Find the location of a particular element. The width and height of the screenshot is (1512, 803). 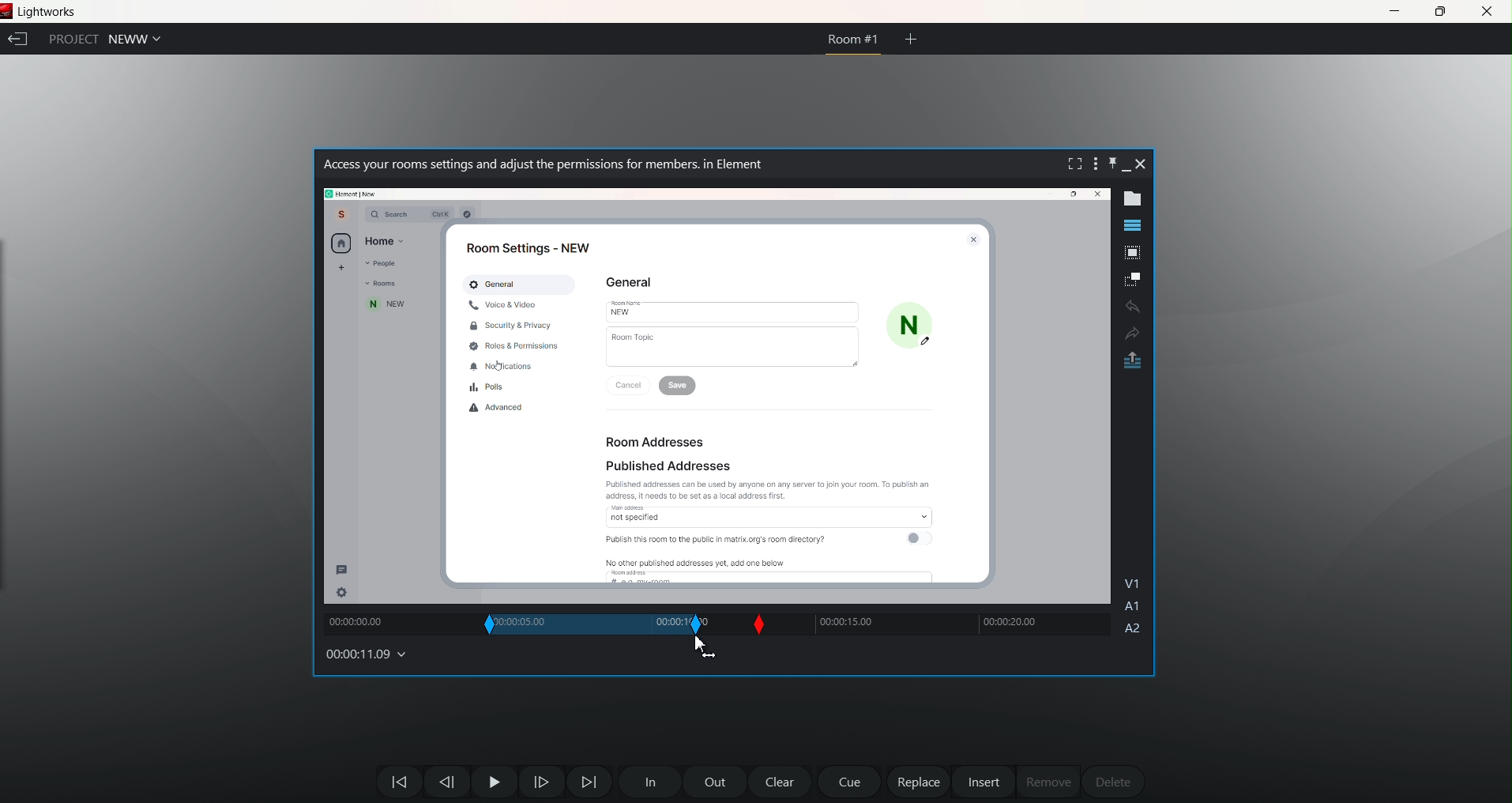

toggle is located at coordinates (920, 537).